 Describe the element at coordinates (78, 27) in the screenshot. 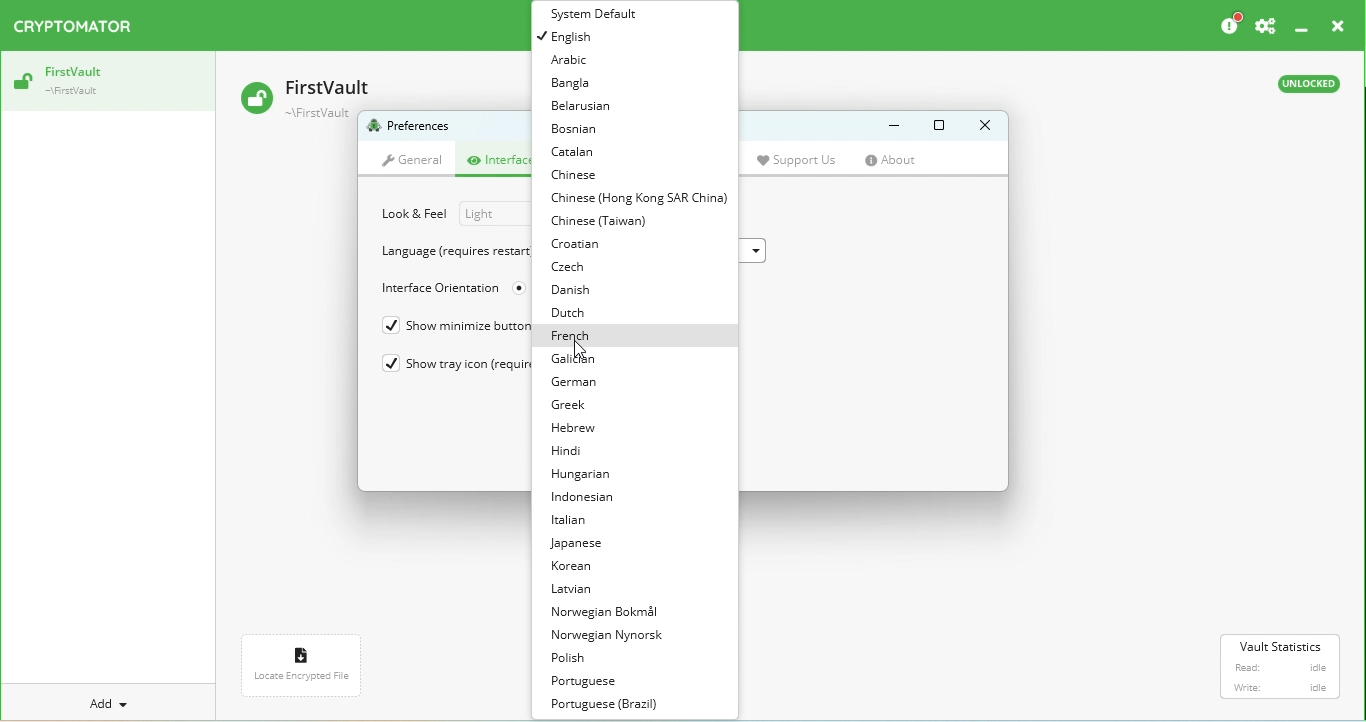

I see `Cryptomator logo` at that location.